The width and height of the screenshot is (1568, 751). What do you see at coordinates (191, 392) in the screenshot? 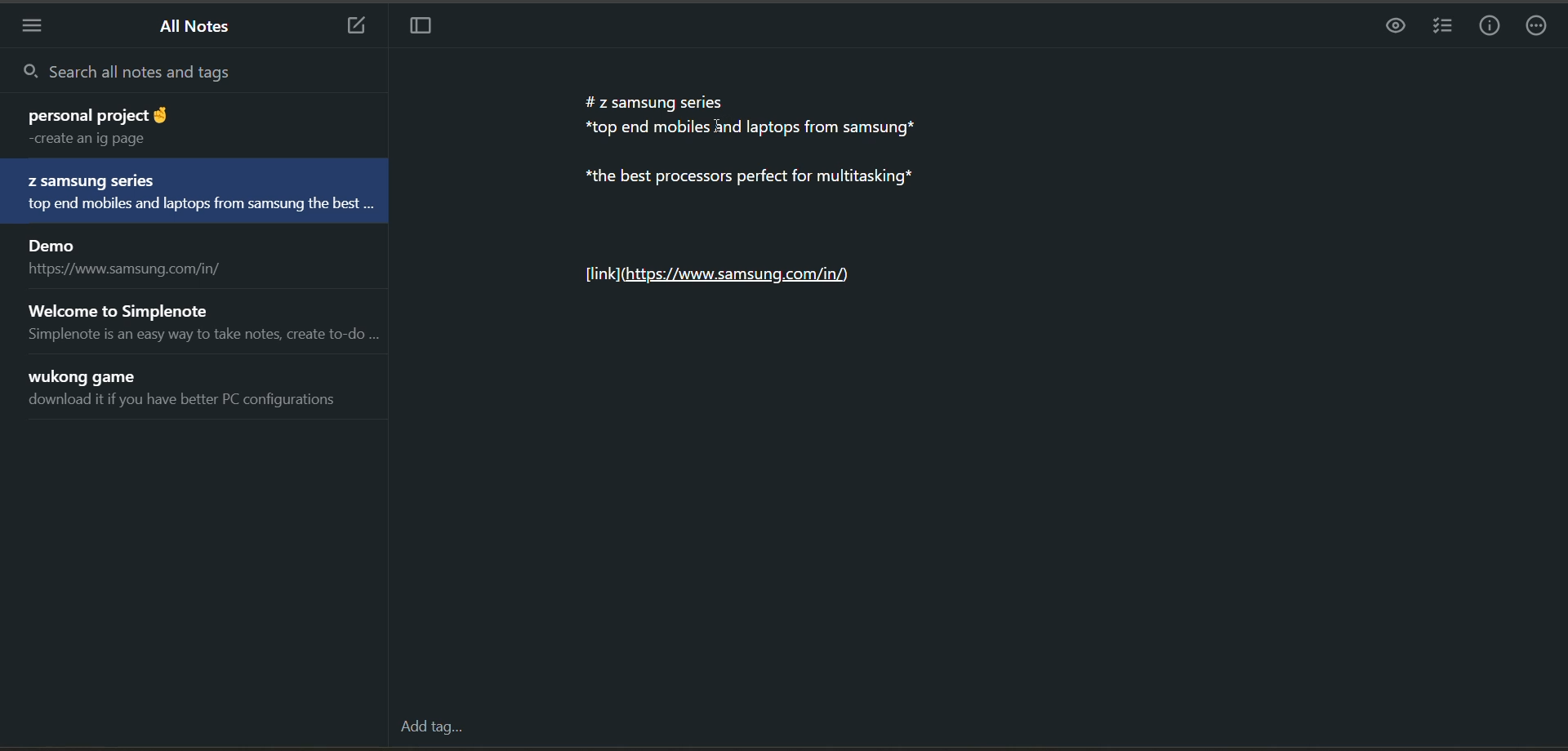
I see `note title and preview` at bounding box center [191, 392].